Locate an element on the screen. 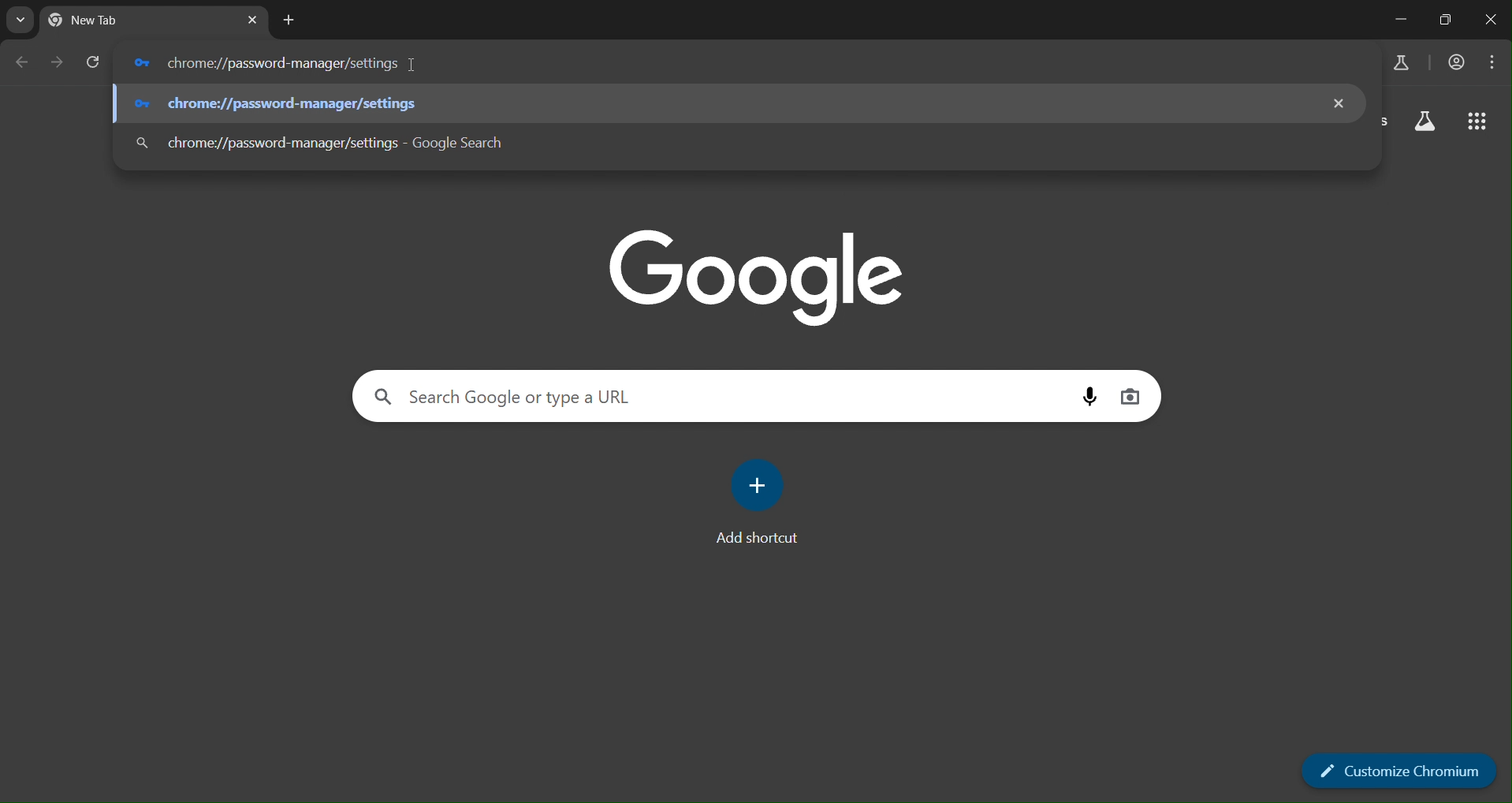 The height and width of the screenshot is (803, 1512). new tab is located at coordinates (292, 21).